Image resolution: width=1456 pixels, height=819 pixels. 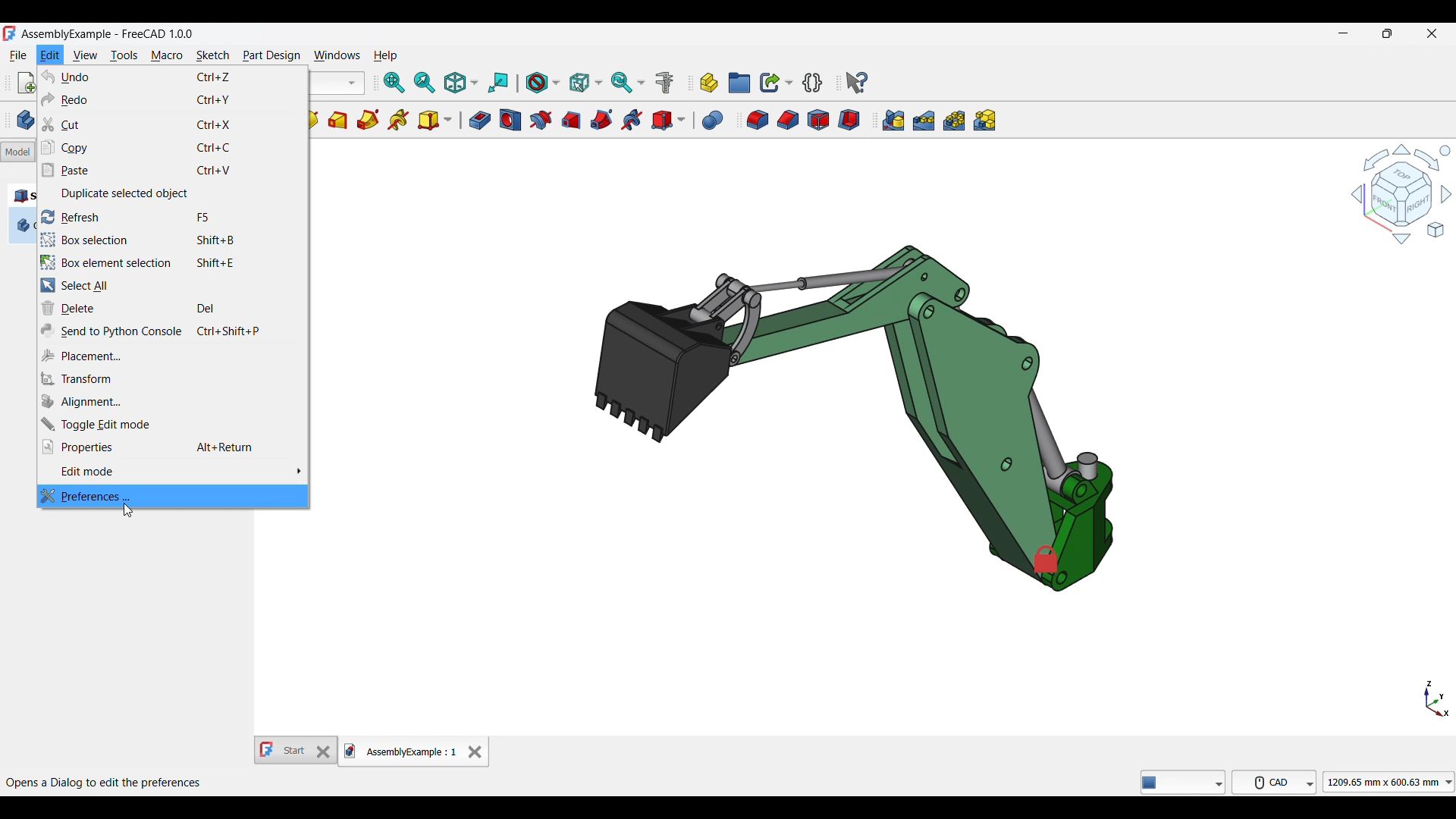 I want to click on AssemblyExample: 1, so click(x=401, y=753).